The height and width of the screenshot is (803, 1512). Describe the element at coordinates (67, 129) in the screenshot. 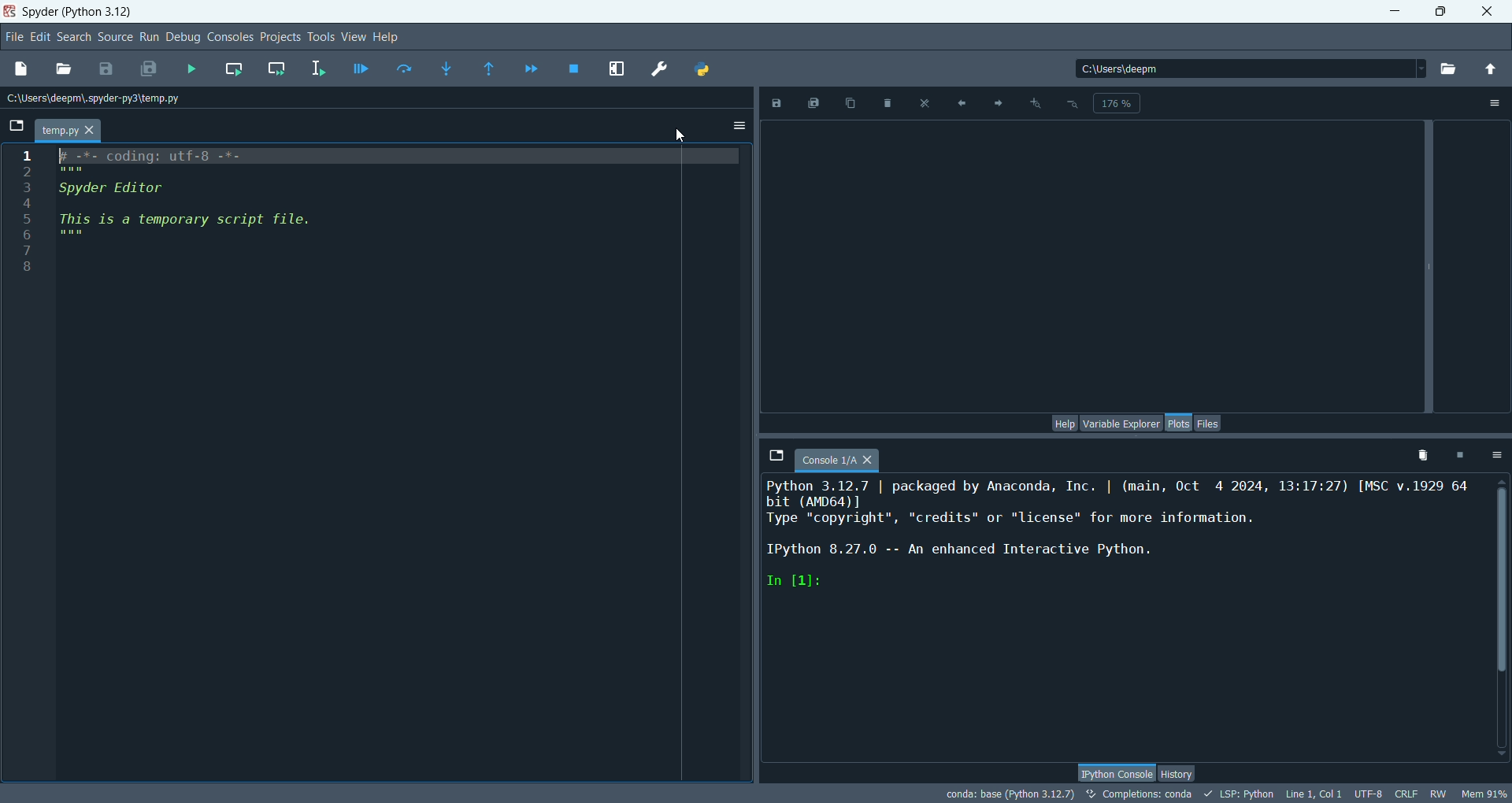

I see `temp.py` at that location.